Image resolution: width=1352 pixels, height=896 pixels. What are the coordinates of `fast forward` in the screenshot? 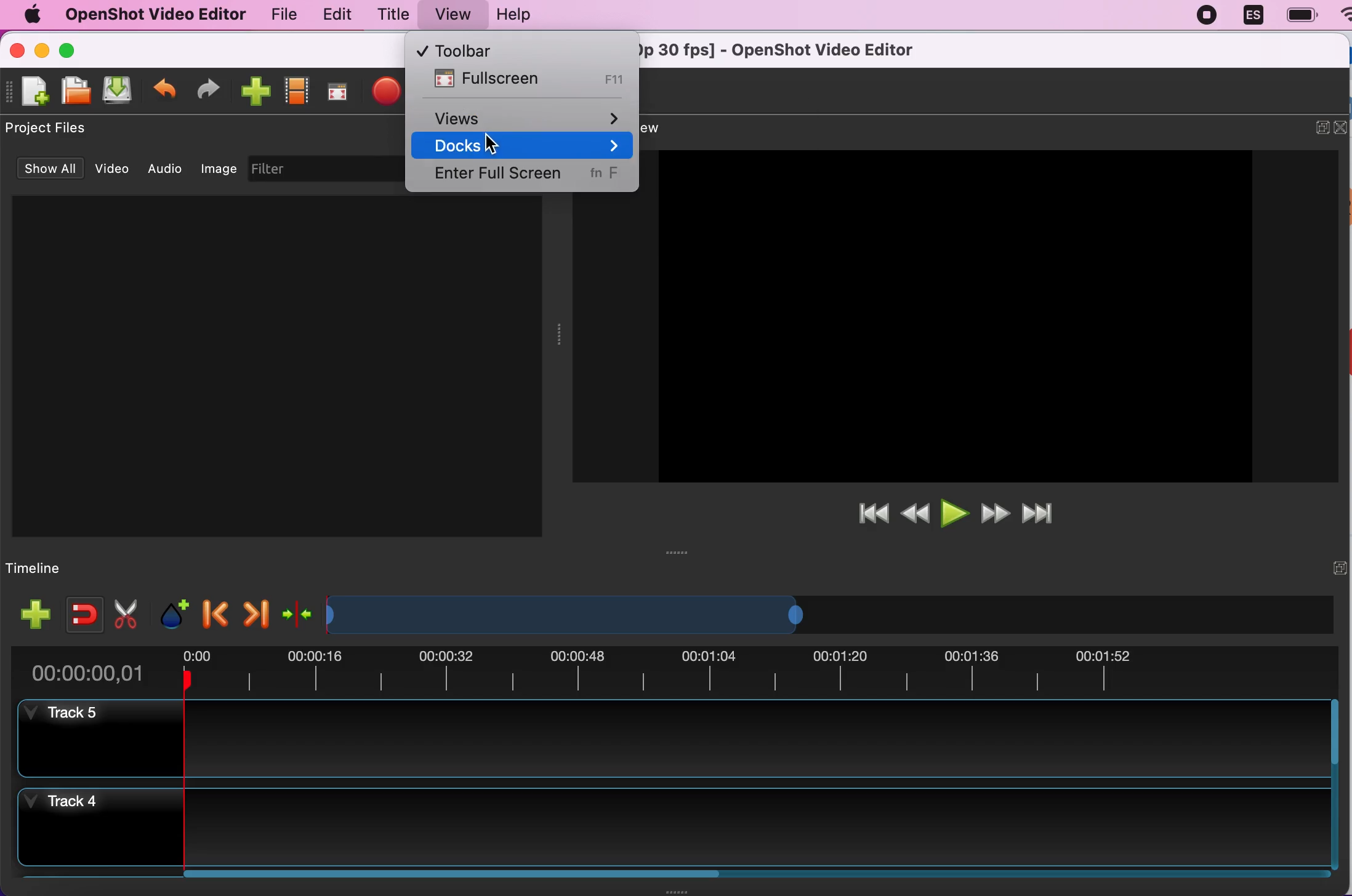 It's located at (994, 511).